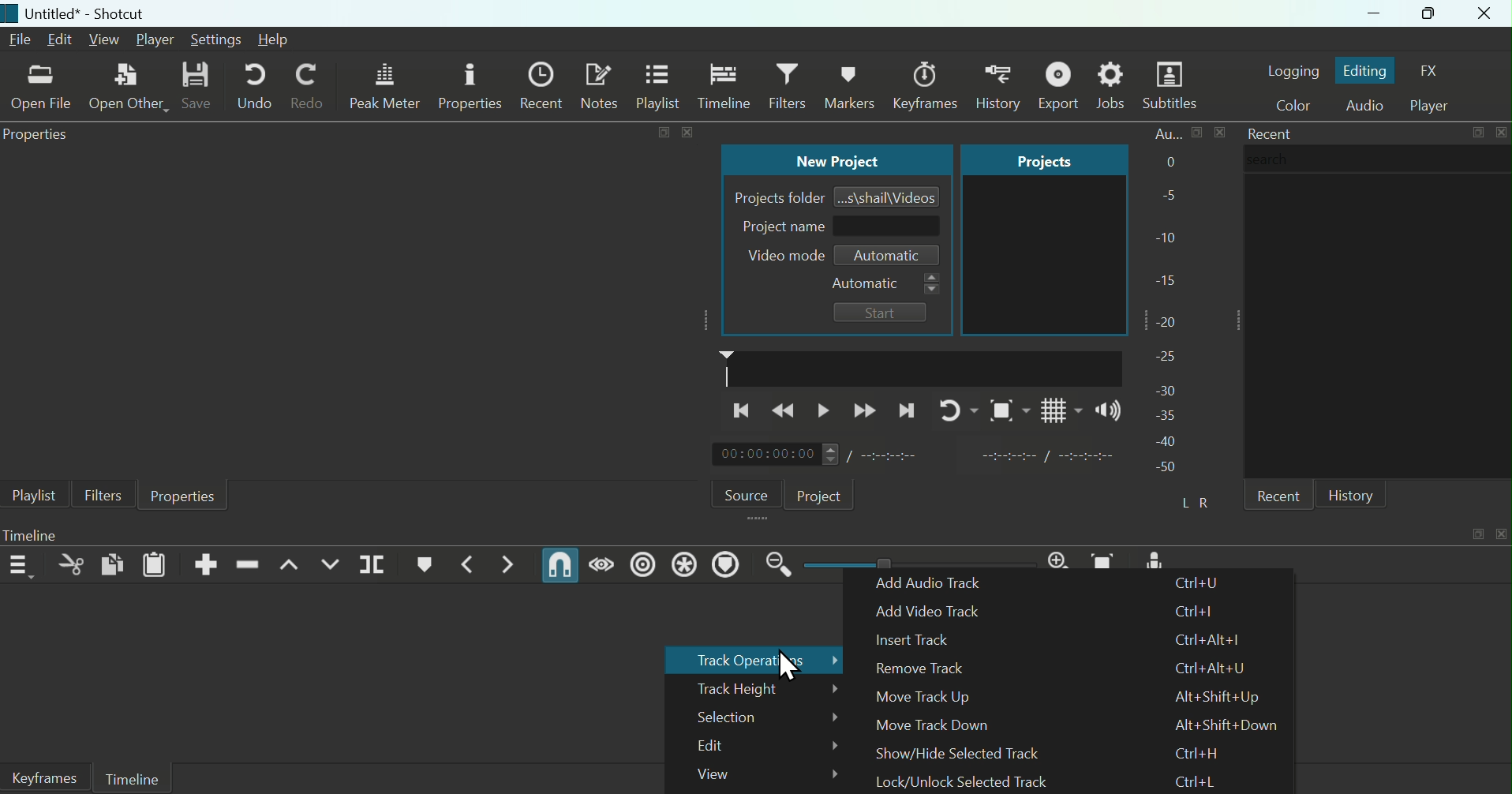  Describe the element at coordinates (155, 39) in the screenshot. I see `Player` at that location.